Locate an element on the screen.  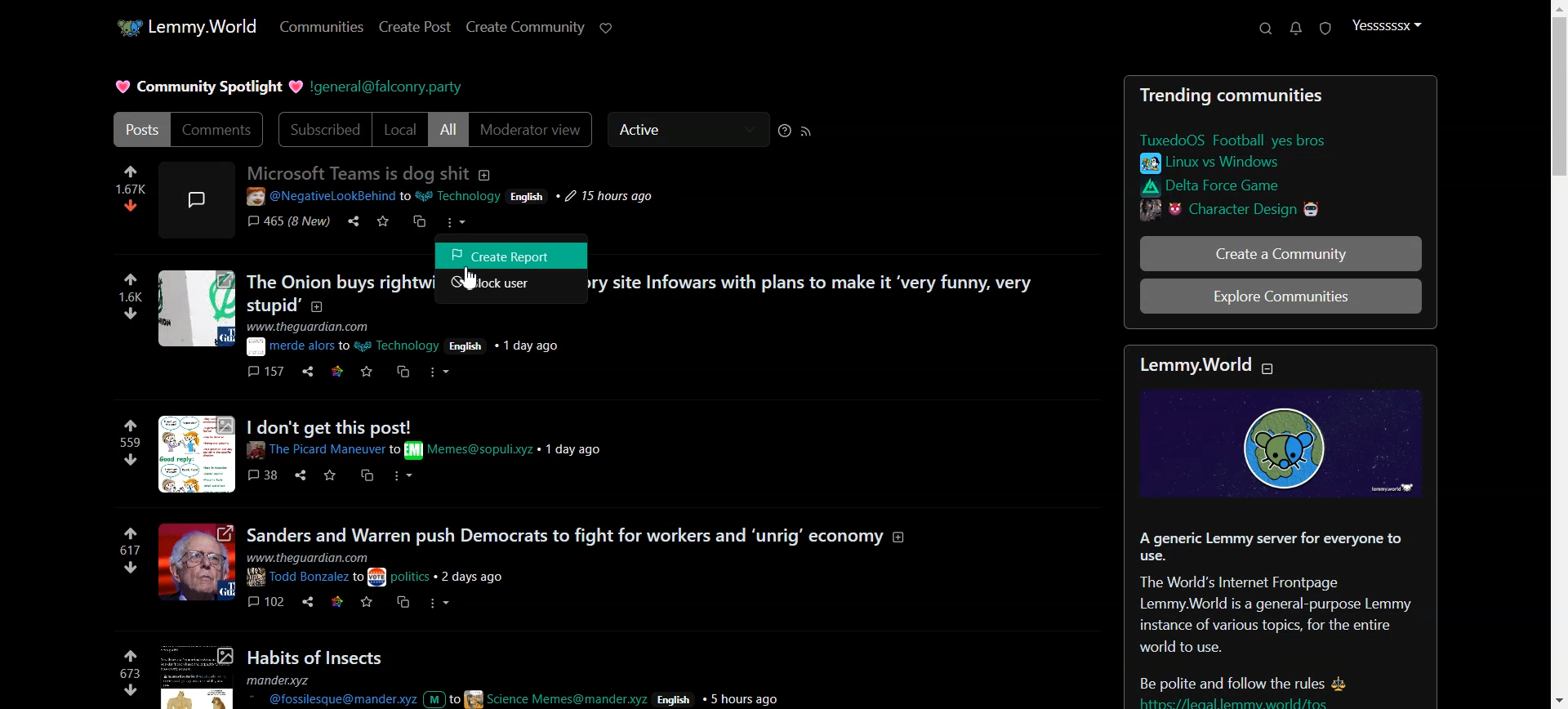
 is located at coordinates (455, 223).